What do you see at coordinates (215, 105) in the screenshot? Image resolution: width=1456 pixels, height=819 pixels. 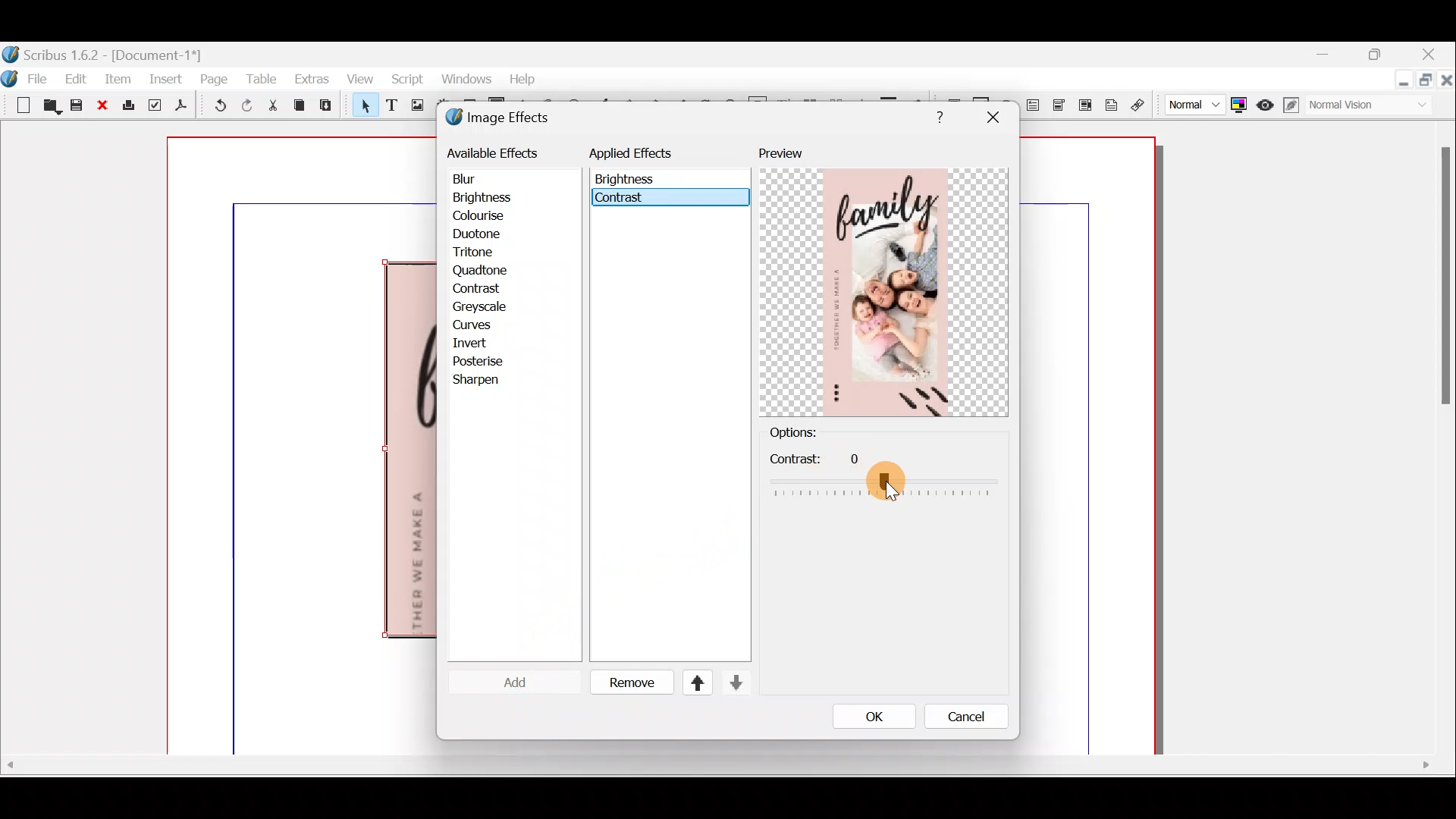 I see `Undo` at bounding box center [215, 105].